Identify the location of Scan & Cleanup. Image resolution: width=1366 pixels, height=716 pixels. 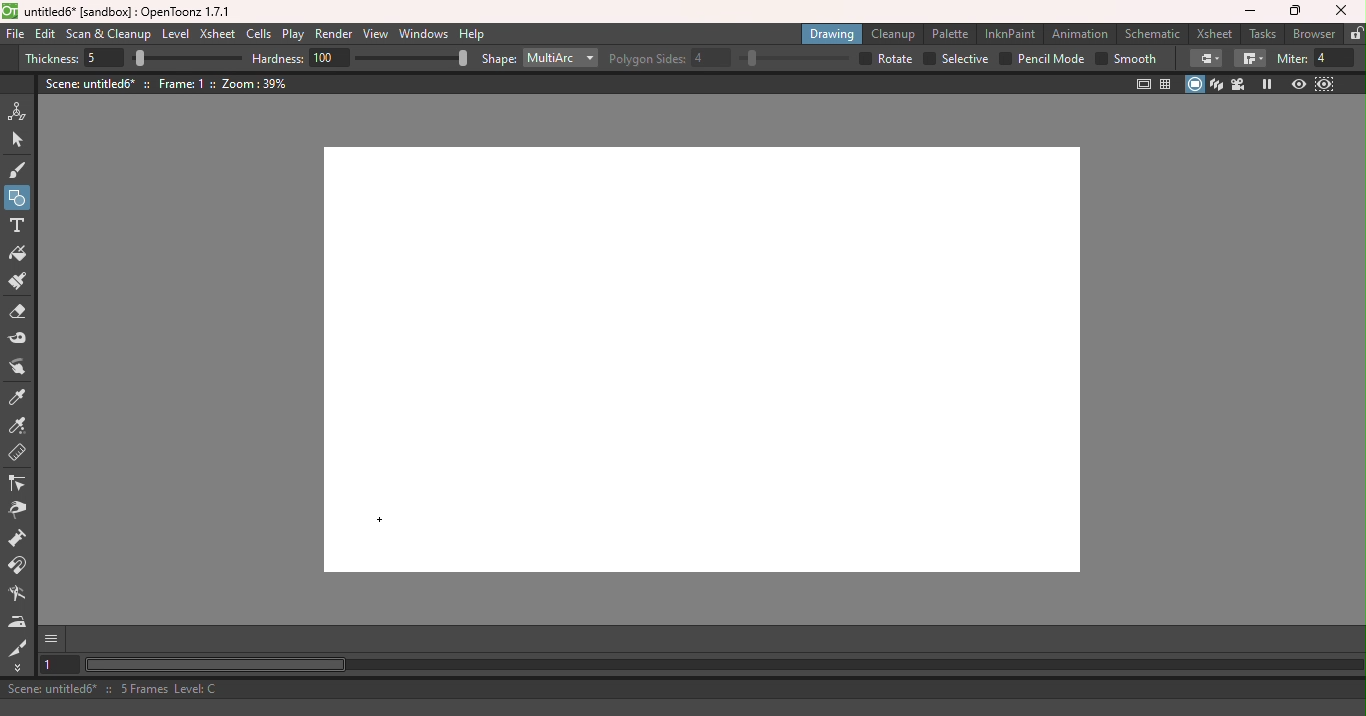
(108, 34).